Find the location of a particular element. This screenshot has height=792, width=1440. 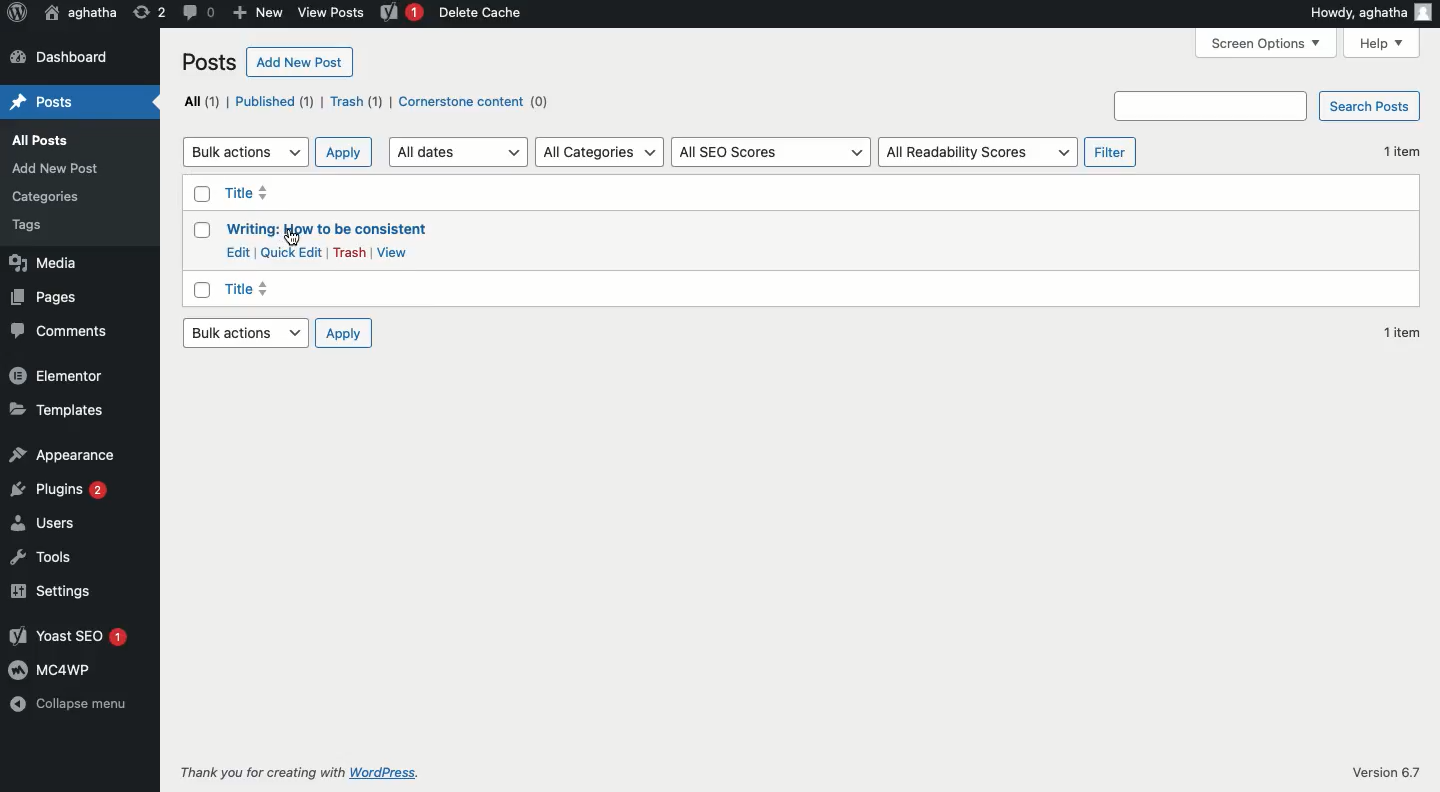

add new post is located at coordinates (58, 169).